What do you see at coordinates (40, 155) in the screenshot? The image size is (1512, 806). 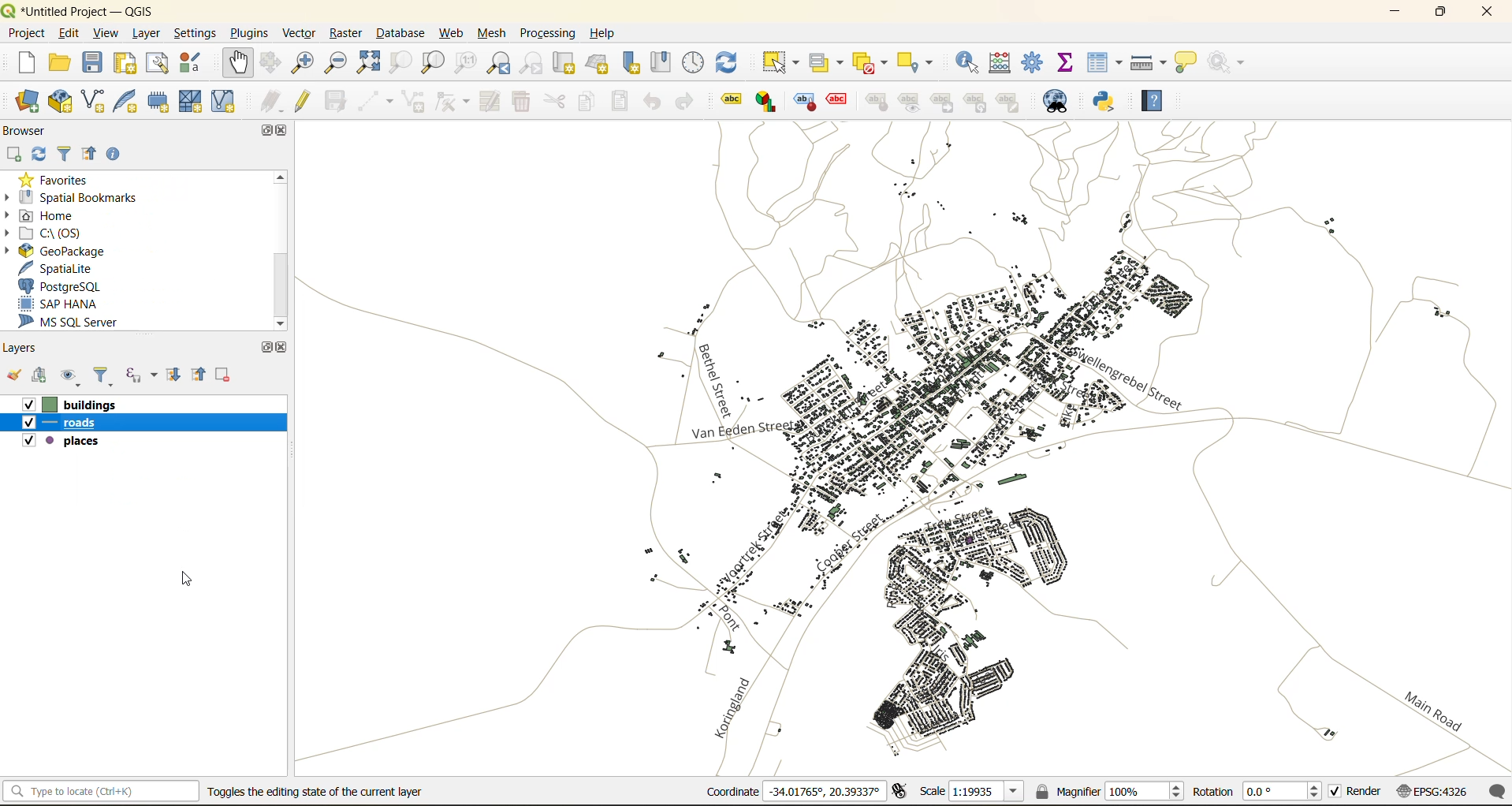 I see `refresh` at bounding box center [40, 155].